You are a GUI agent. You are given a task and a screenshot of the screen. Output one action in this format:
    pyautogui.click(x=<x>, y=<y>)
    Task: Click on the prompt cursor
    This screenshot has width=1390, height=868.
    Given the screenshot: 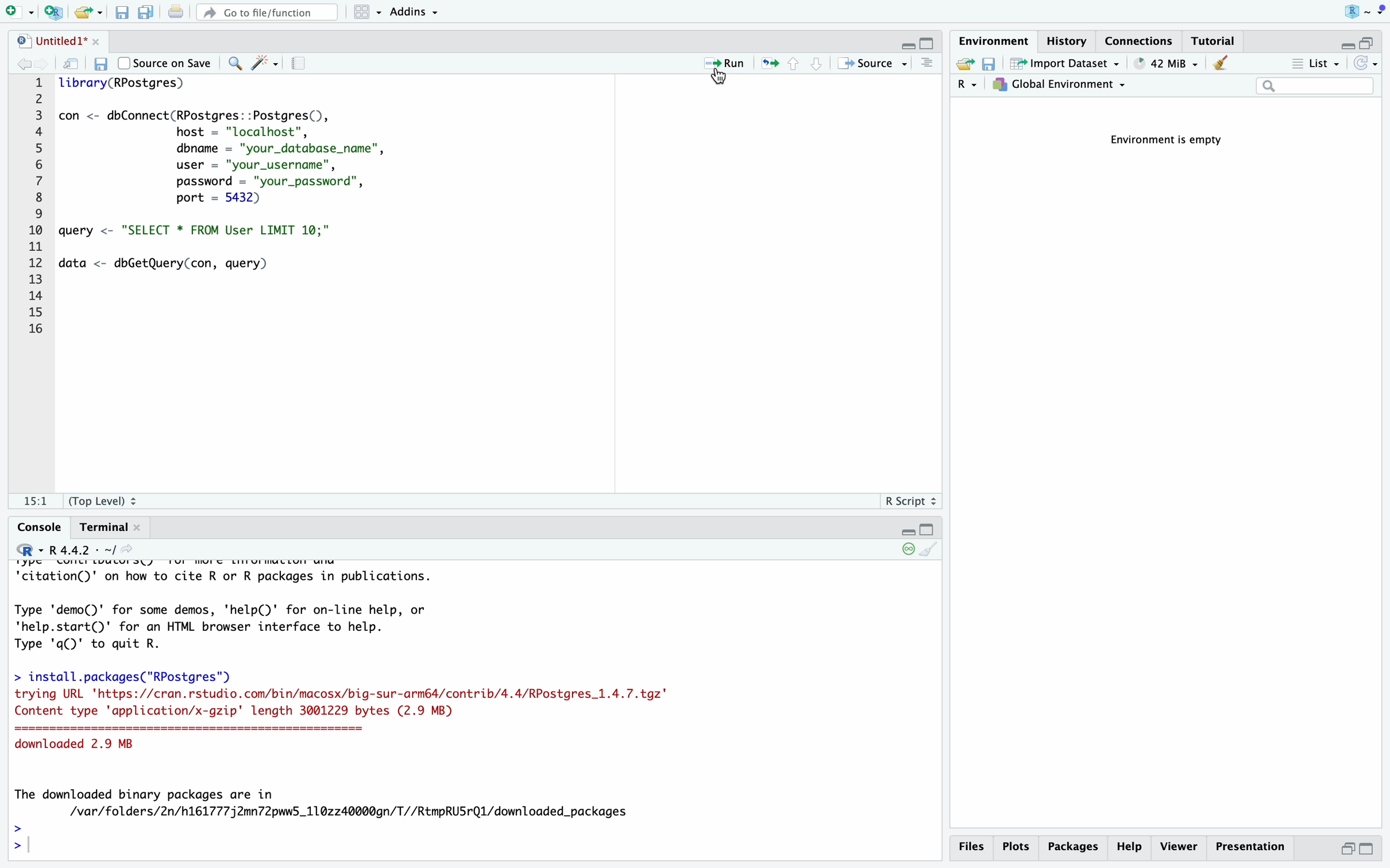 What is the action you would take?
    pyautogui.click(x=17, y=828)
    